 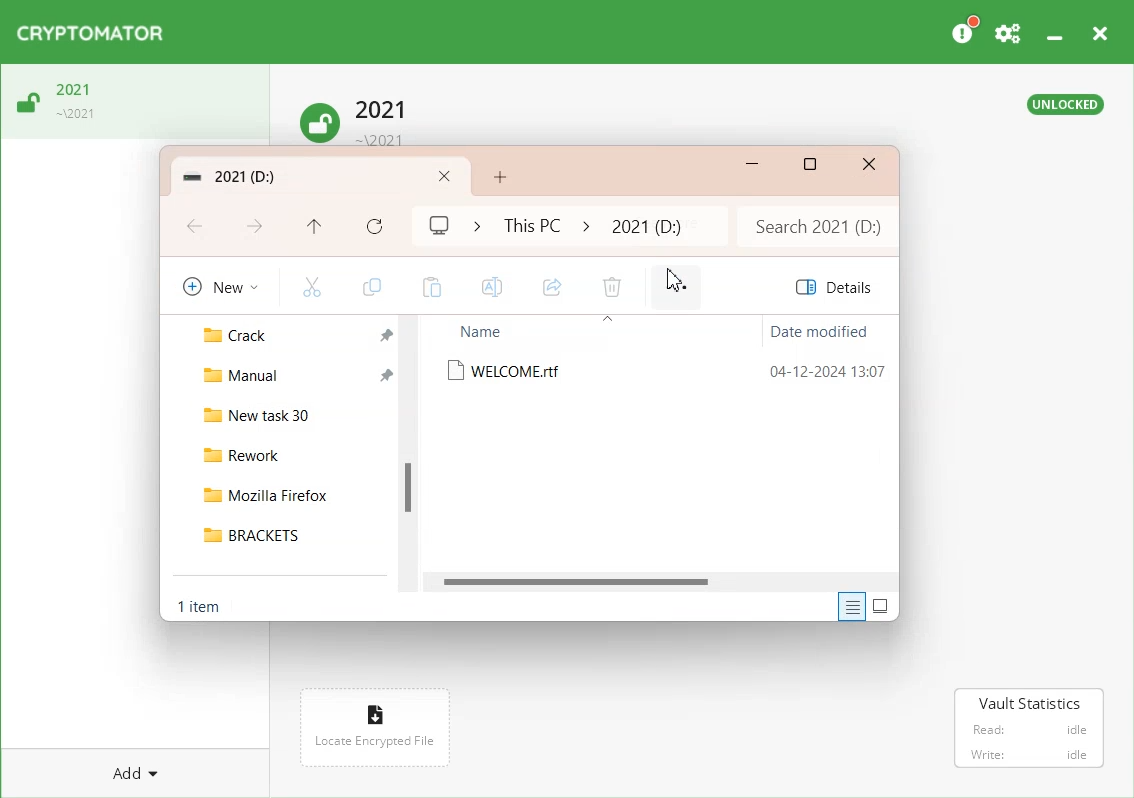 What do you see at coordinates (377, 725) in the screenshot?
I see `Locate encrypted File` at bounding box center [377, 725].